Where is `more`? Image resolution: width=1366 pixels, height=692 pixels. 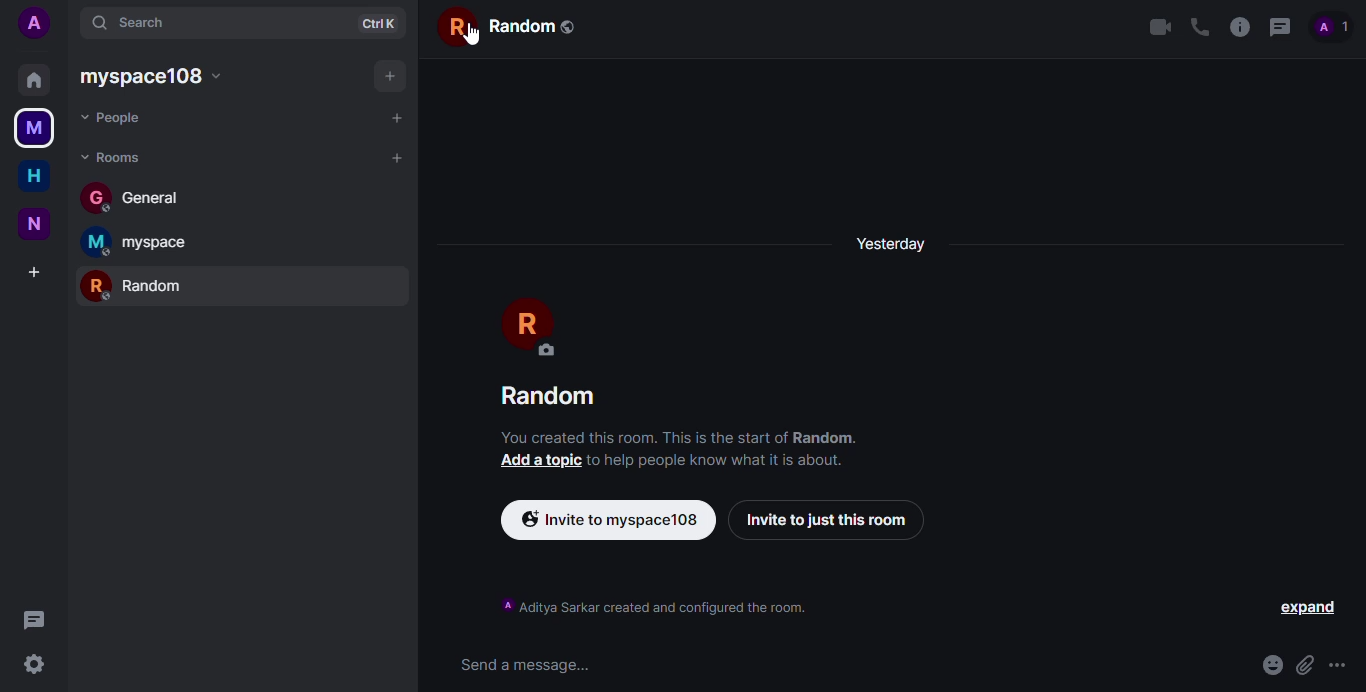 more is located at coordinates (1337, 666).